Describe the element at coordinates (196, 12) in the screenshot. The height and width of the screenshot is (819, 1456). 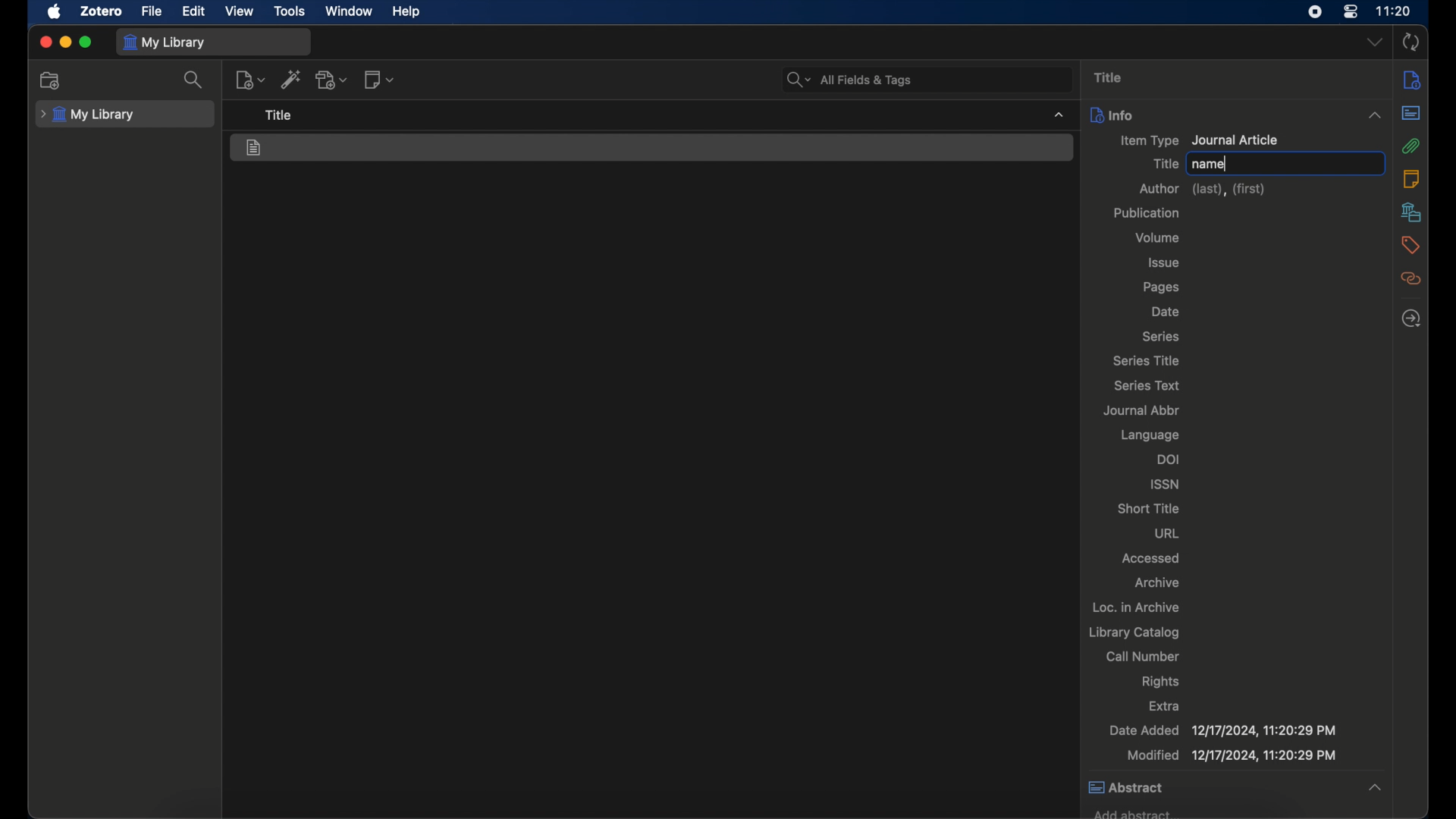
I see `edit` at that location.